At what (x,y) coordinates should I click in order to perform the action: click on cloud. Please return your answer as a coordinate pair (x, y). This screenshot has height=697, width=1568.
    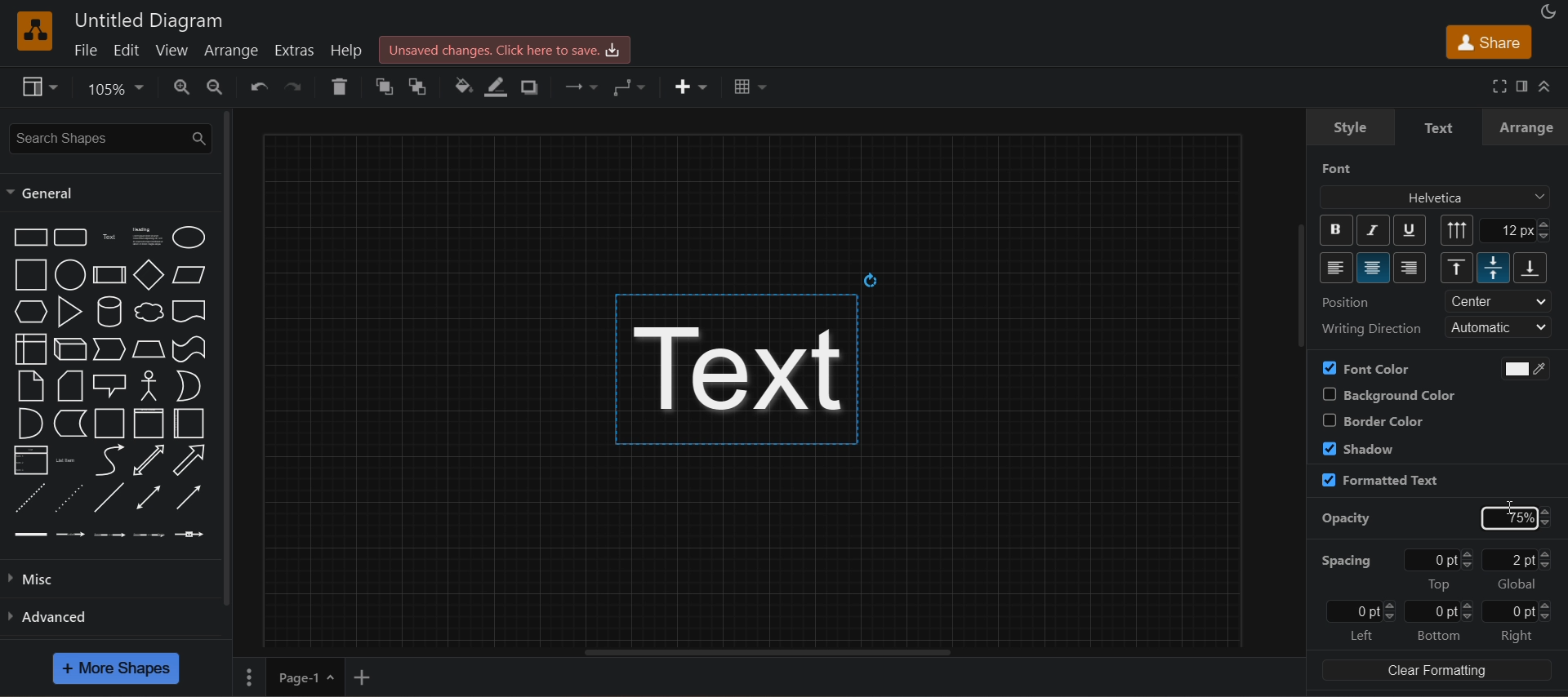
    Looking at the image, I should click on (149, 313).